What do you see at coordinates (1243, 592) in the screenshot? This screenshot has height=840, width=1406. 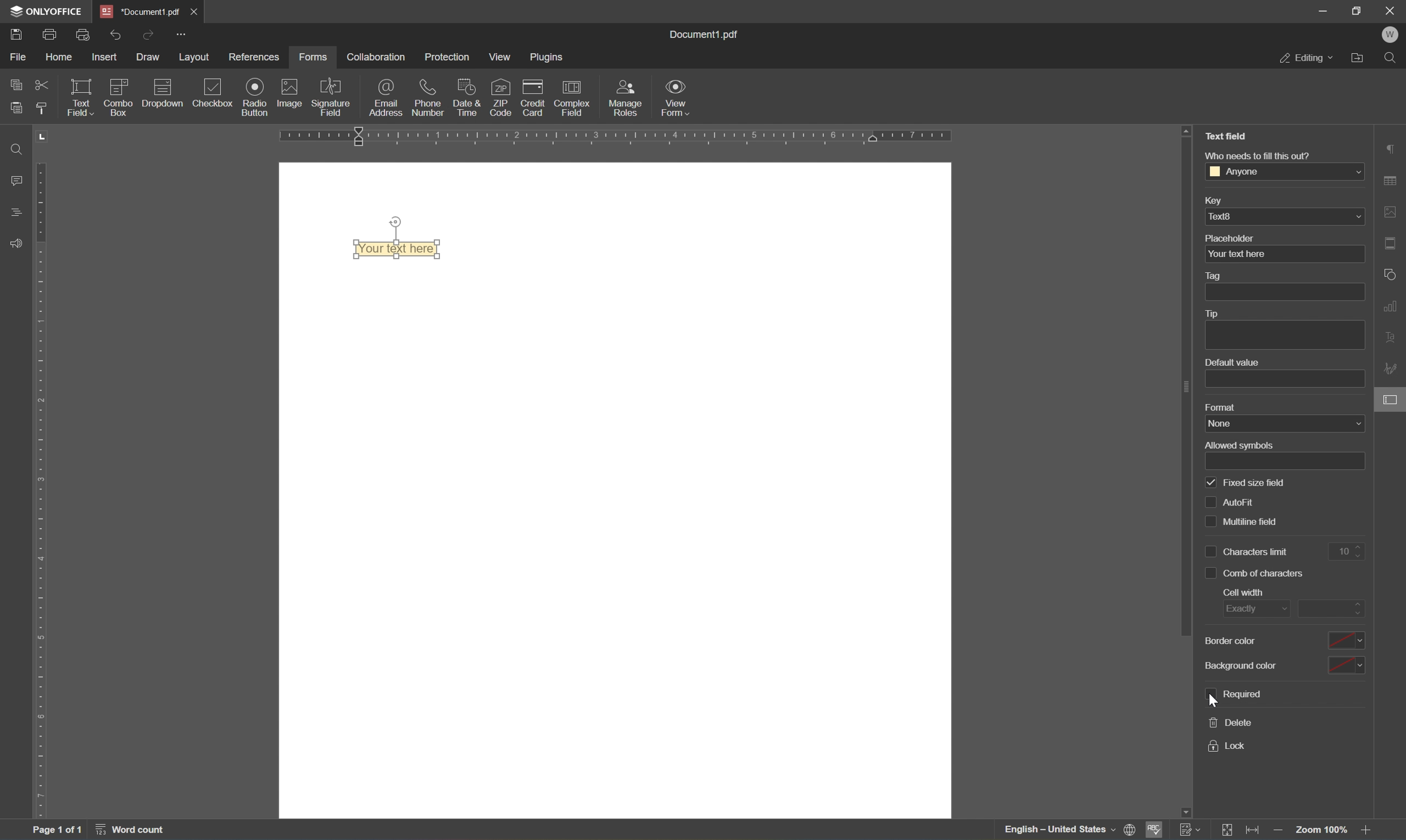 I see `cell width` at bounding box center [1243, 592].